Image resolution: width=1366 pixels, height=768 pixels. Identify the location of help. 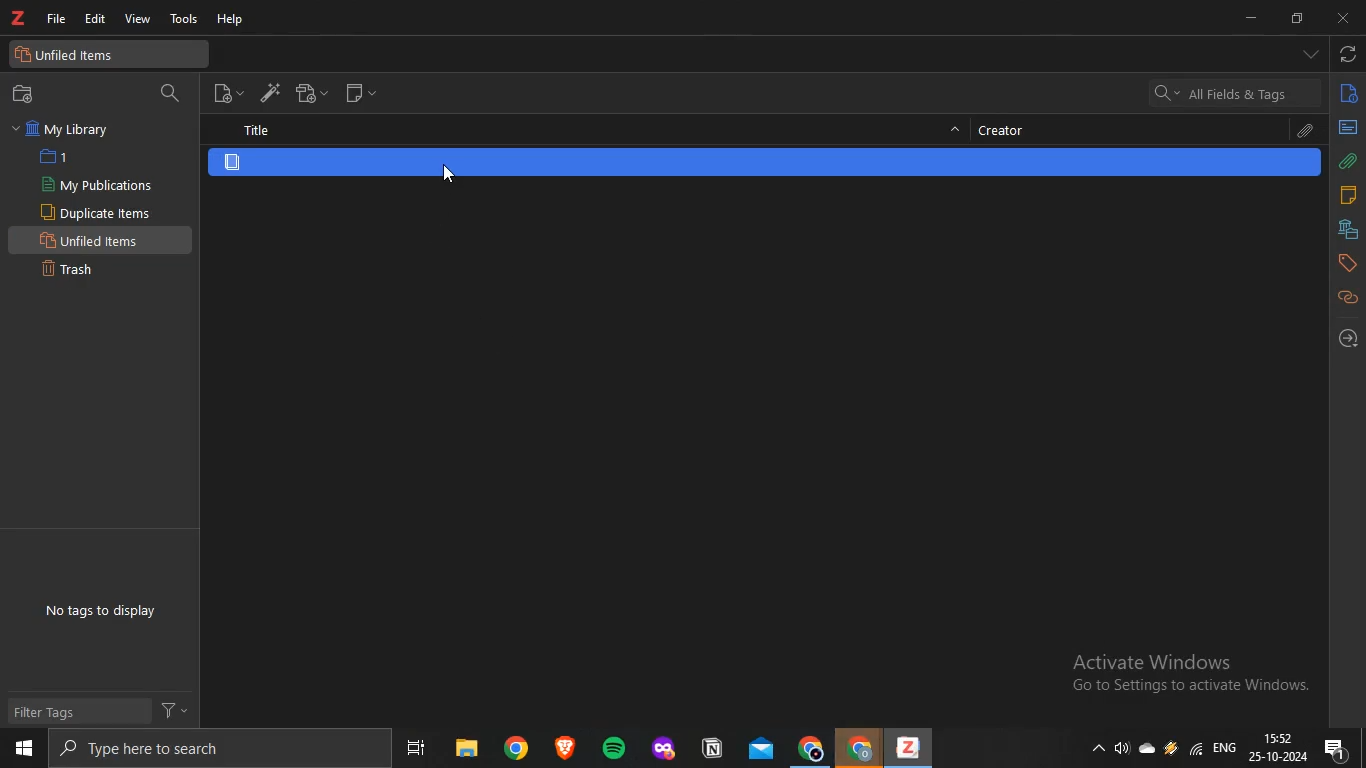
(233, 20).